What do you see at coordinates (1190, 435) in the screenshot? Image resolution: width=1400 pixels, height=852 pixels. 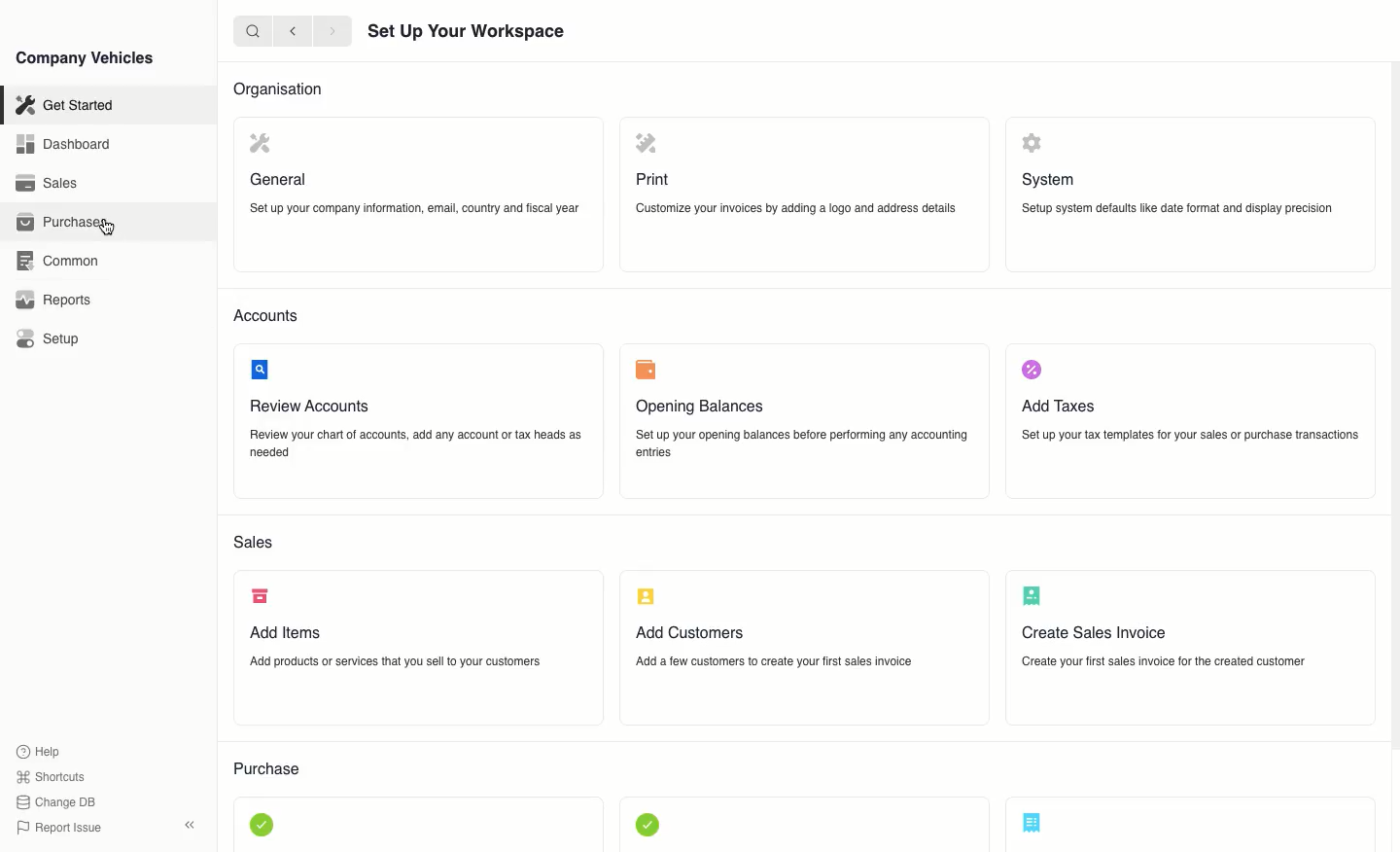 I see `Set up your tax templates for your sales or purchase transactions` at bounding box center [1190, 435].